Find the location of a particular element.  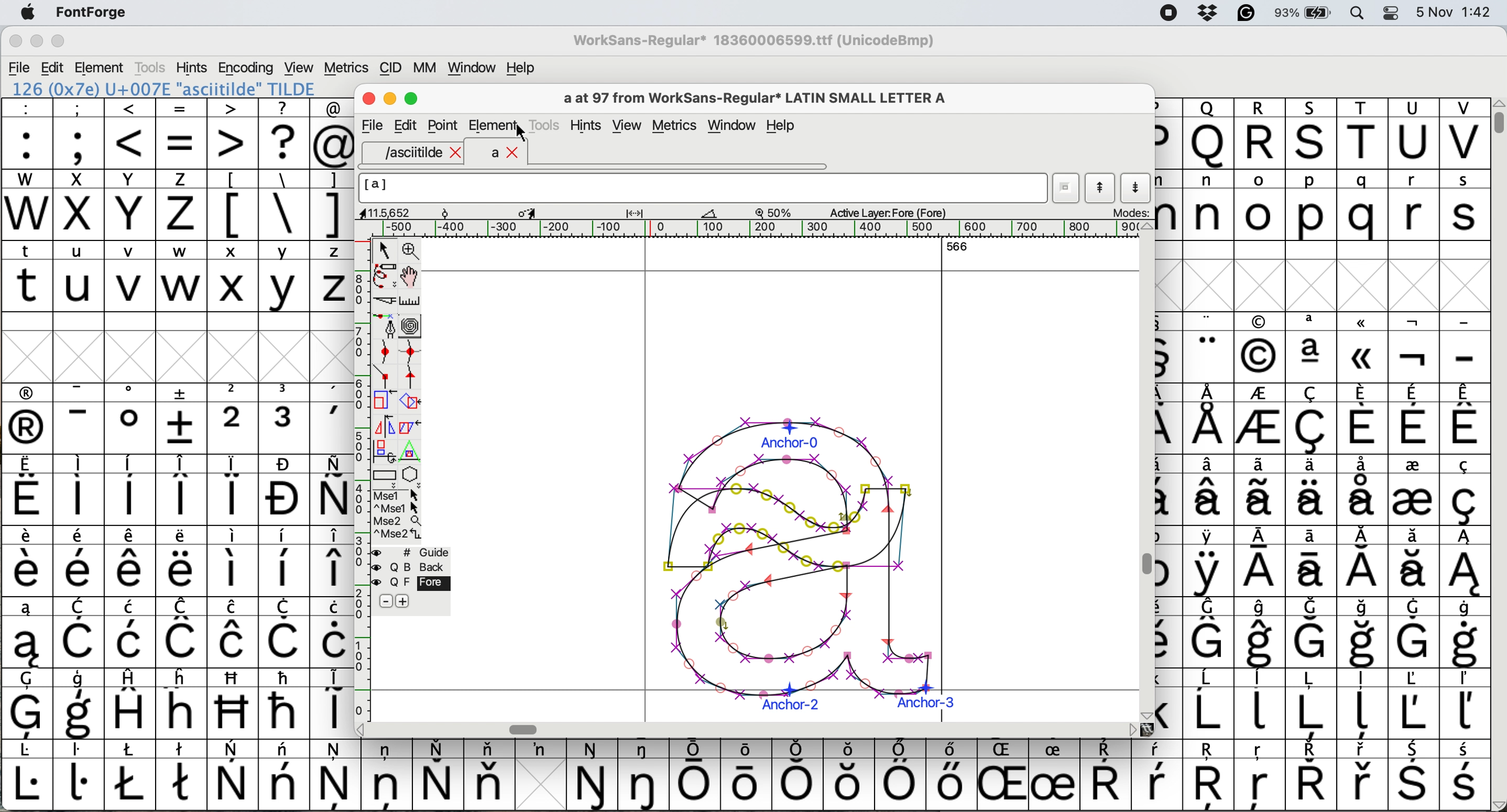

file is located at coordinates (20, 68).